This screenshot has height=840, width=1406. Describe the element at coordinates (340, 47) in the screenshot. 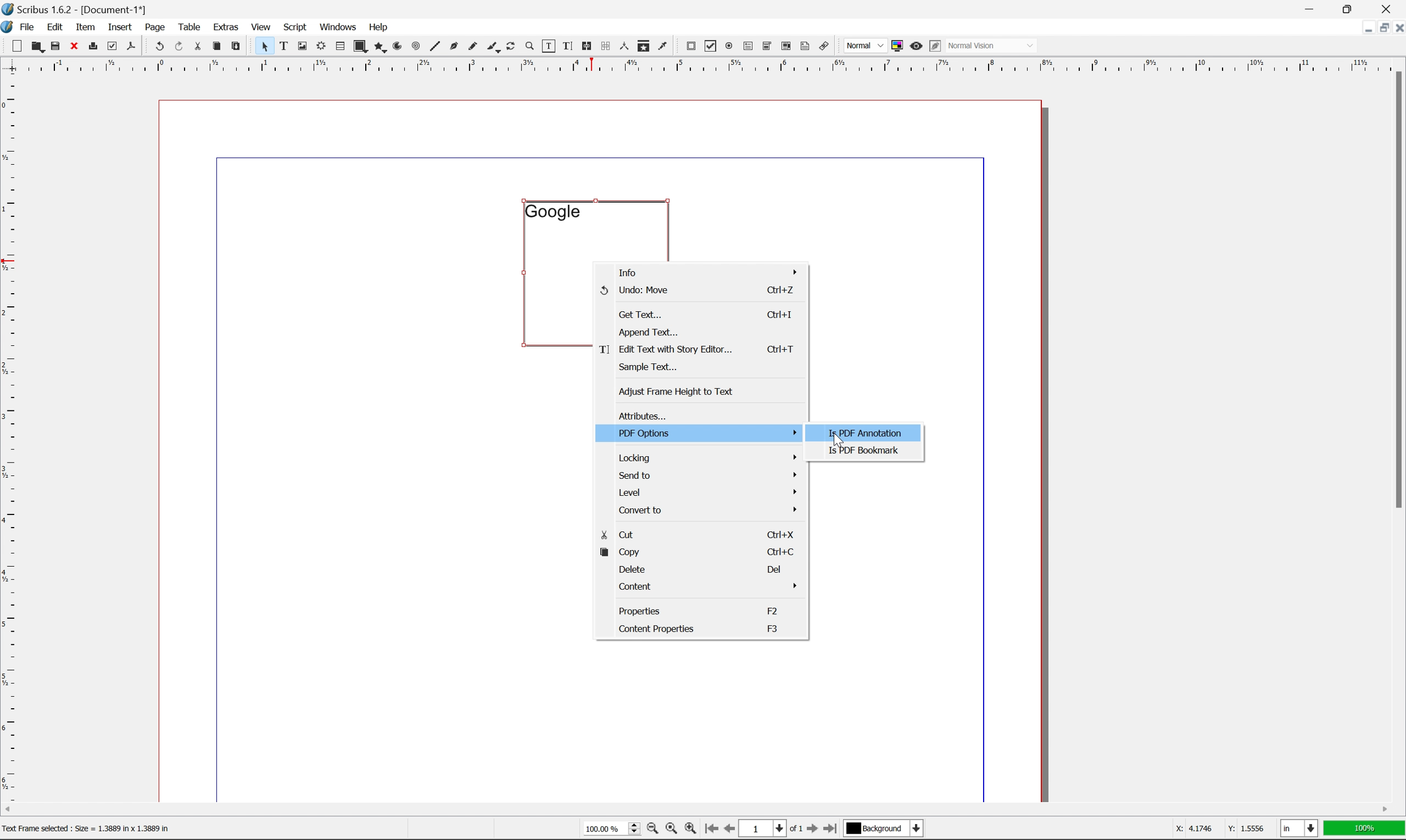

I see `table` at that location.